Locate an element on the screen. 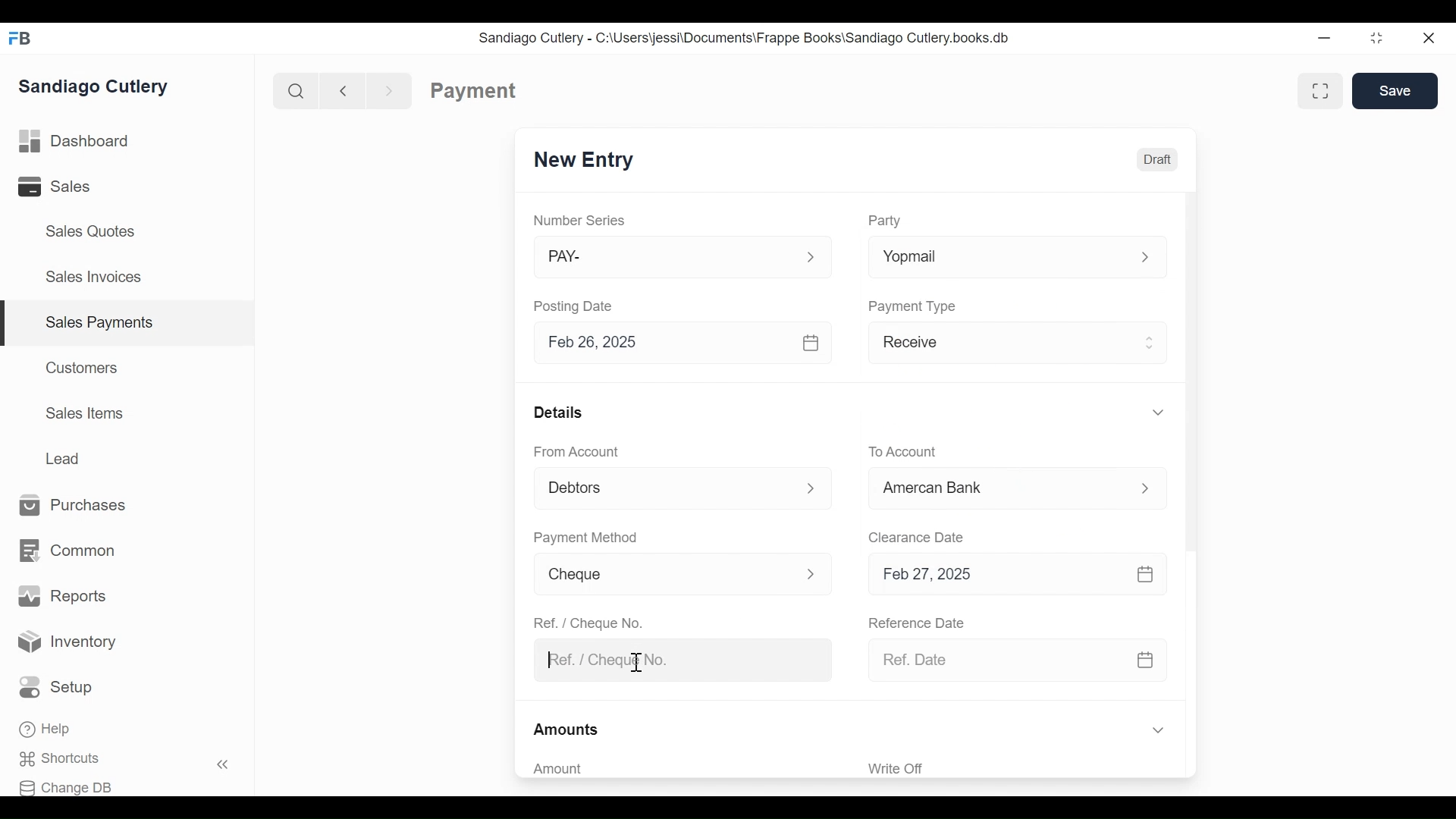  Help is located at coordinates (47, 730).